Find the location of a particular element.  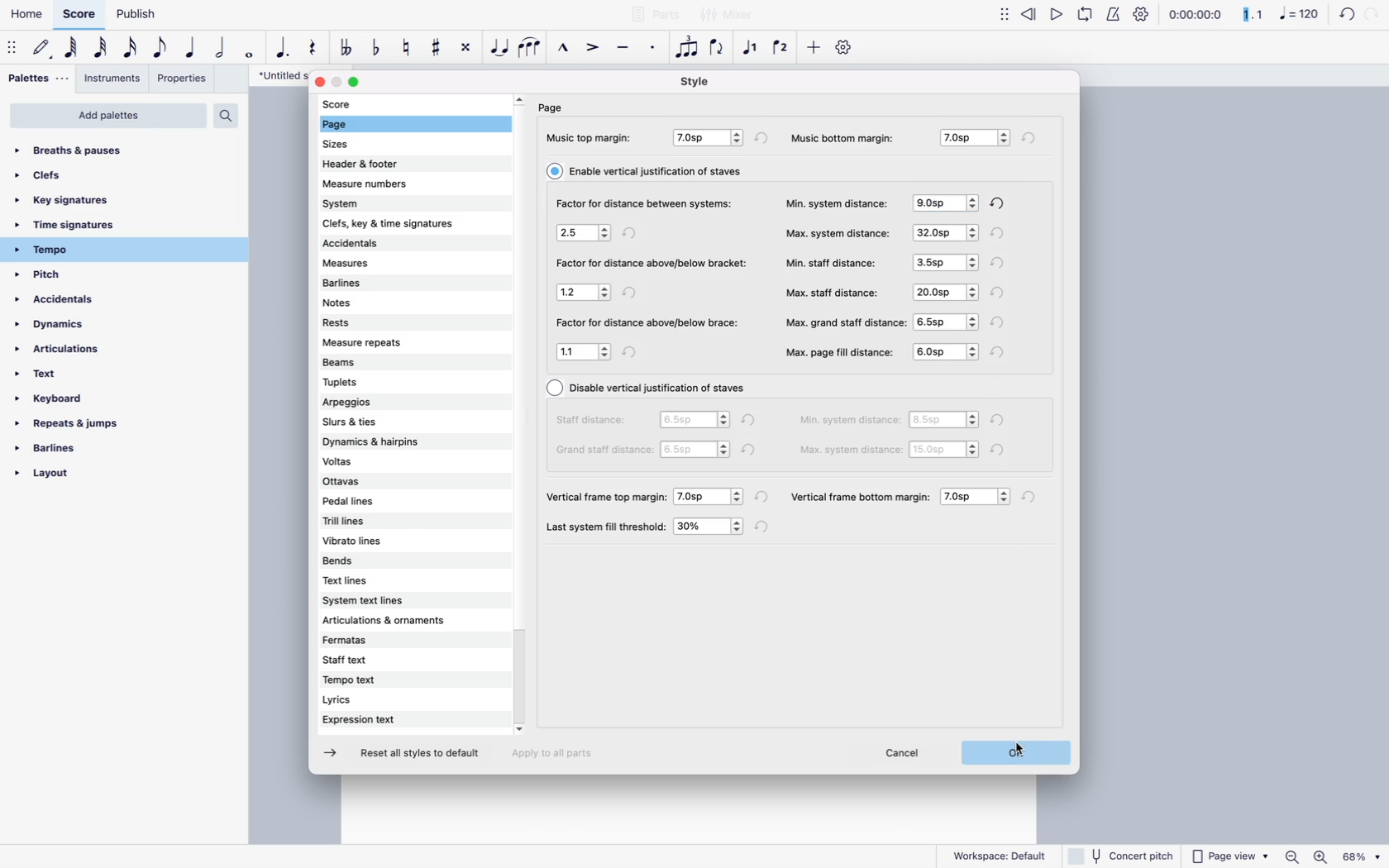

Pause/play is located at coordinates (1070, 17).